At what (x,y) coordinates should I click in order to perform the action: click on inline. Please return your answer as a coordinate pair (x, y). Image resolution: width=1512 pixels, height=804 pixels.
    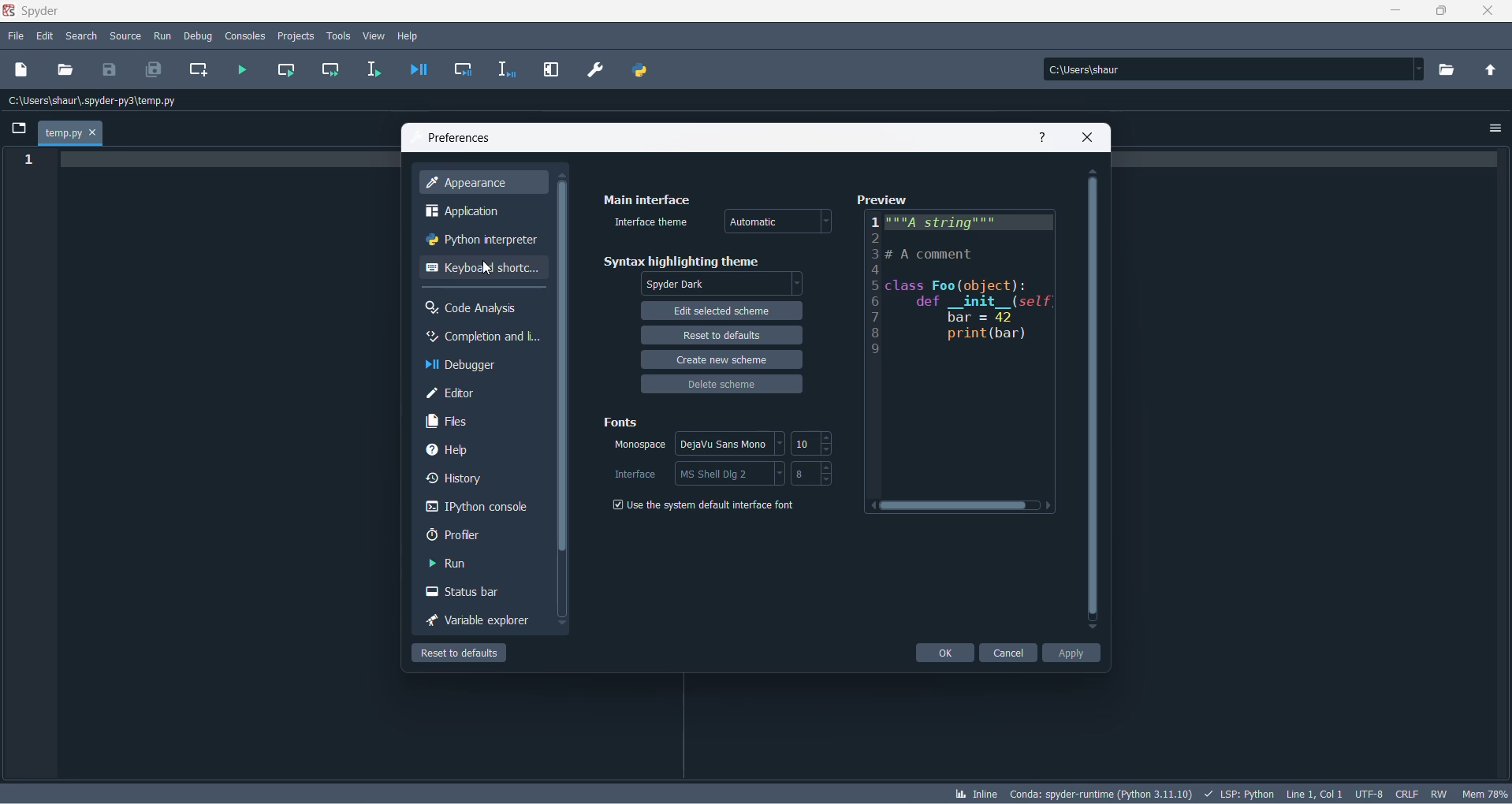
    Looking at the image, I should click on (975, 795).